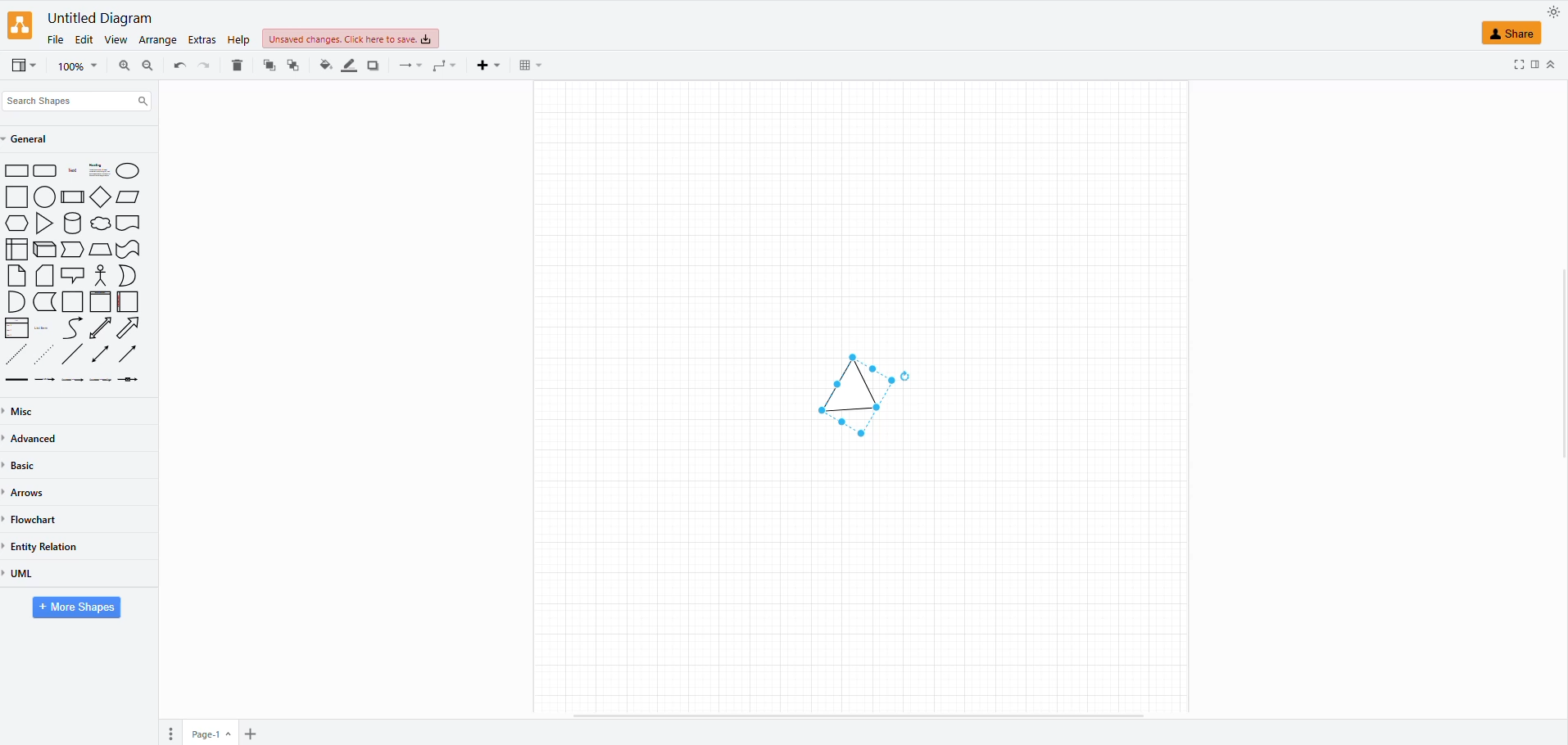  Describe the element at coordinates (84, 38) in the screenshot. I see `edit` at that location.